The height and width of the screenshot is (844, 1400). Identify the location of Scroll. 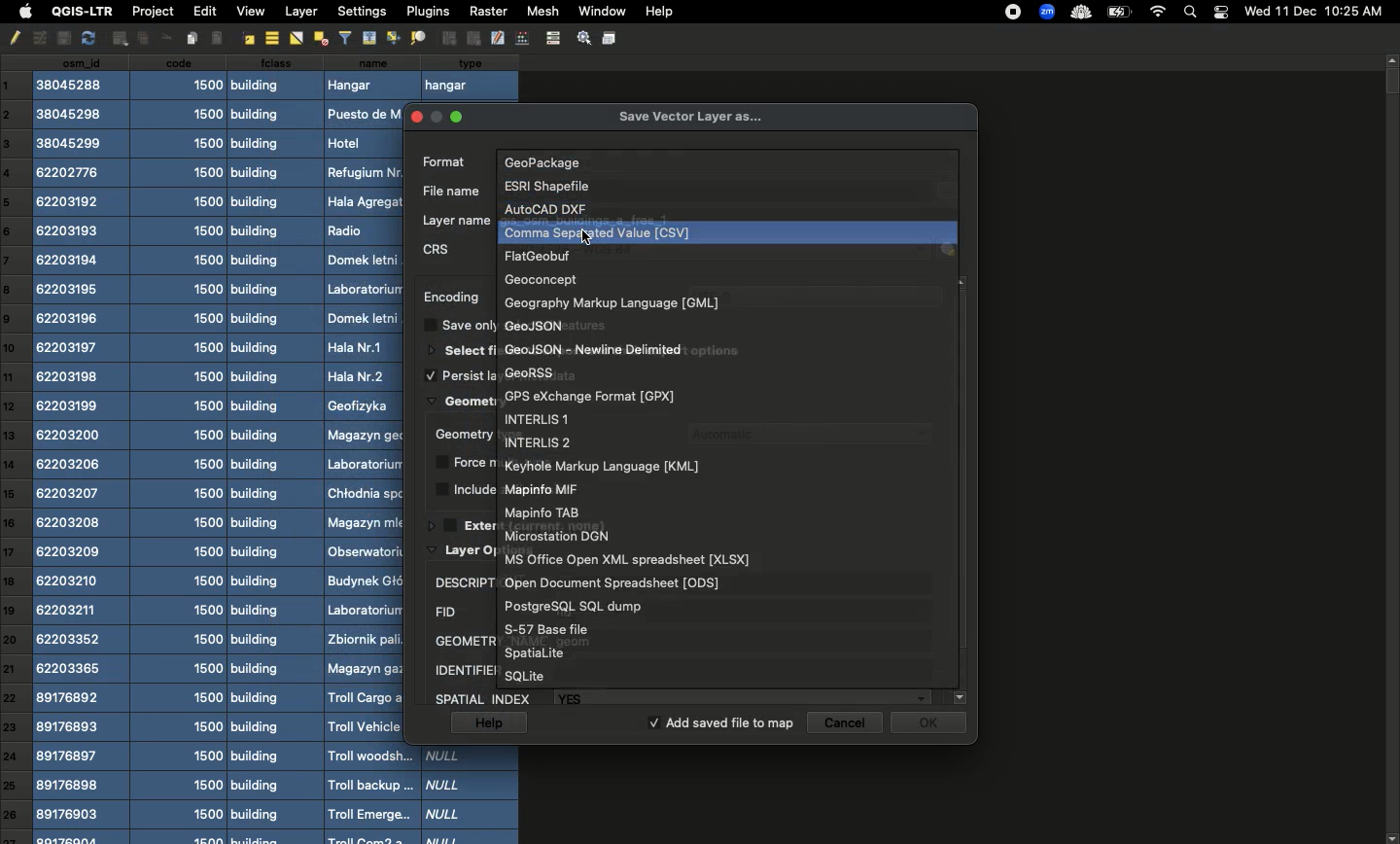
(1391, 448).